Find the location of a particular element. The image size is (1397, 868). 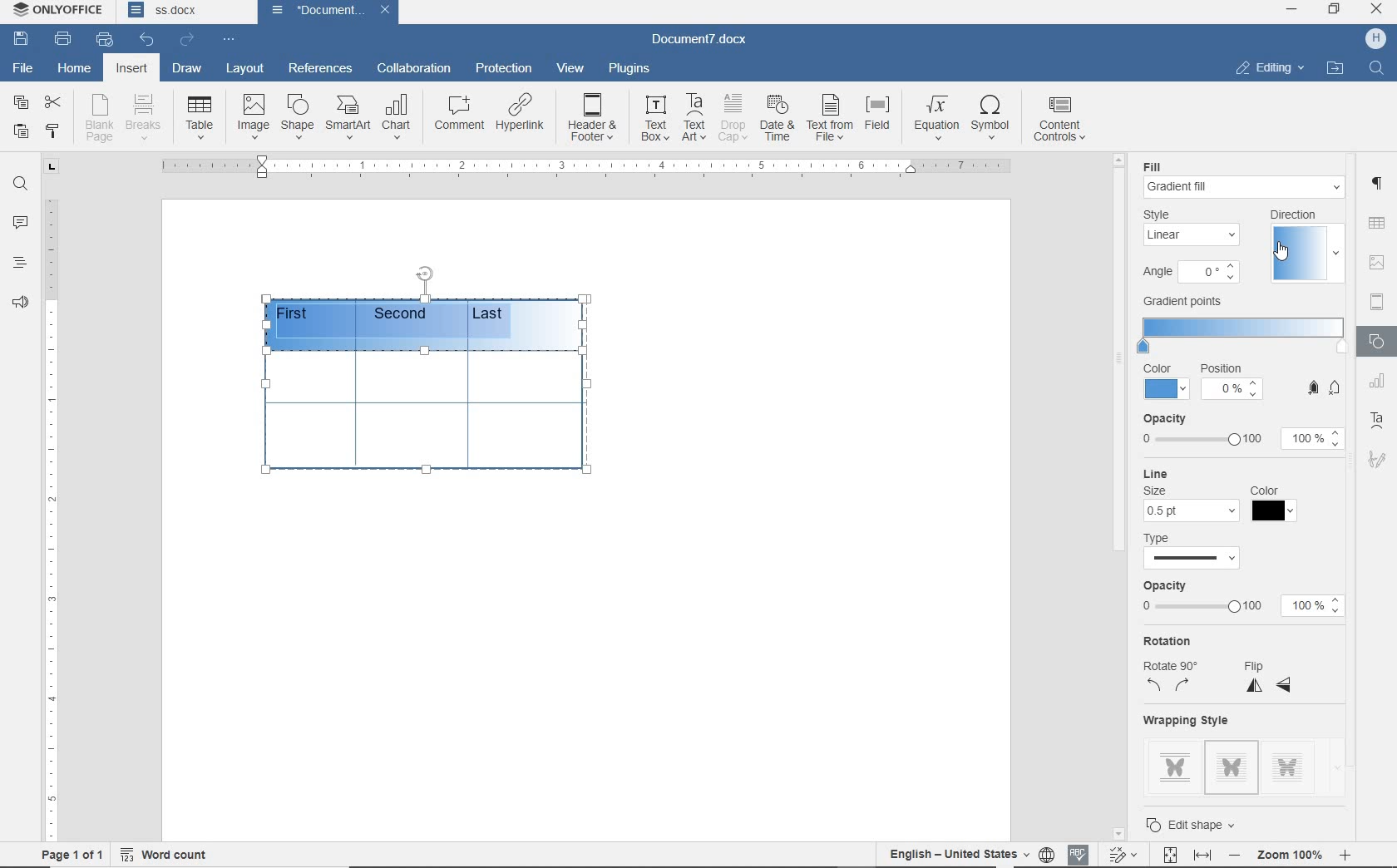

protection is located at coordinates (503, 69).